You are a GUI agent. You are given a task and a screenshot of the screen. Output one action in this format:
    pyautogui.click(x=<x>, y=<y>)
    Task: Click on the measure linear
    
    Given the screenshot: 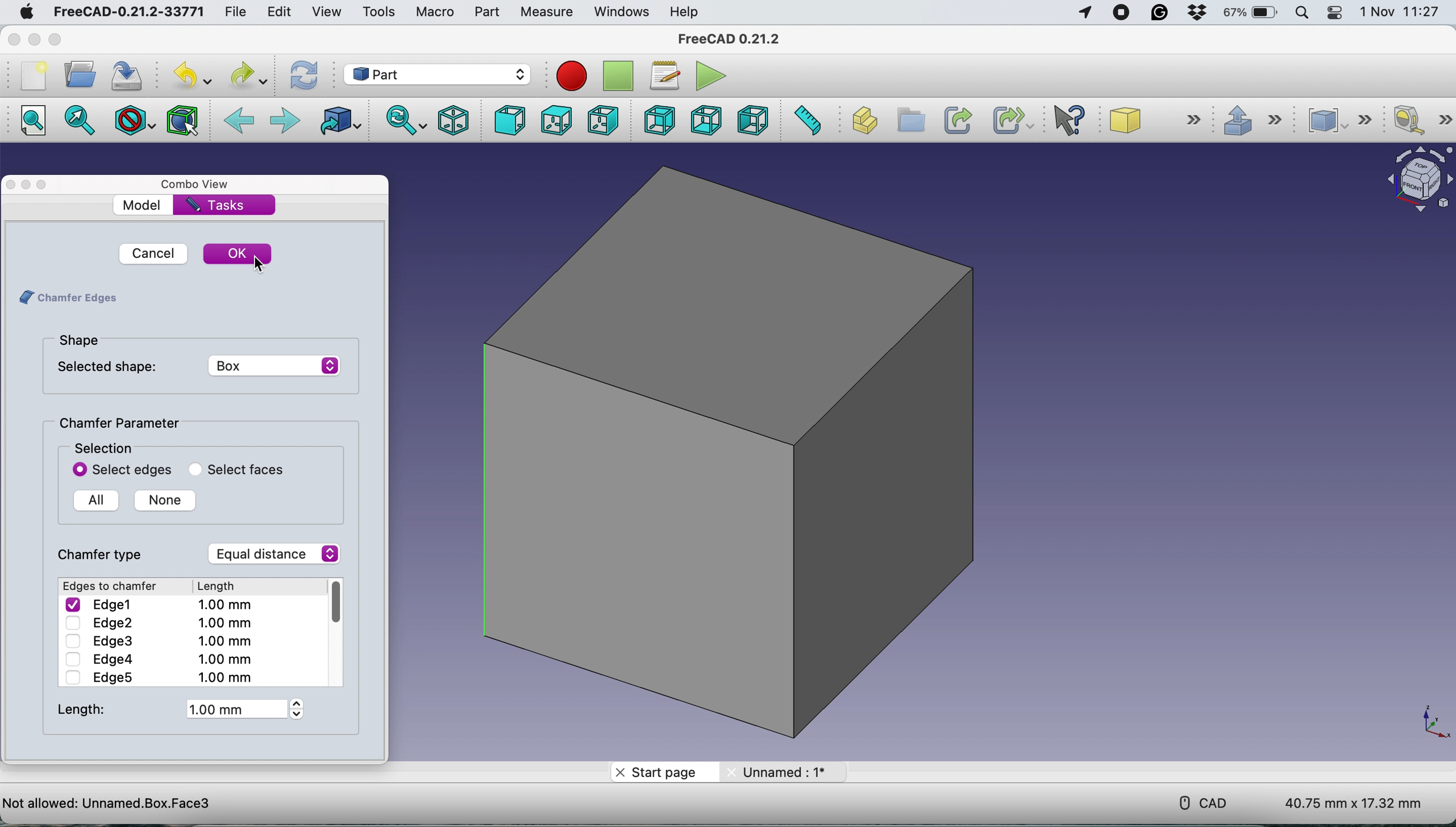 What is the action you would take?
    pyautogui.click(x=1422, y=119)
    